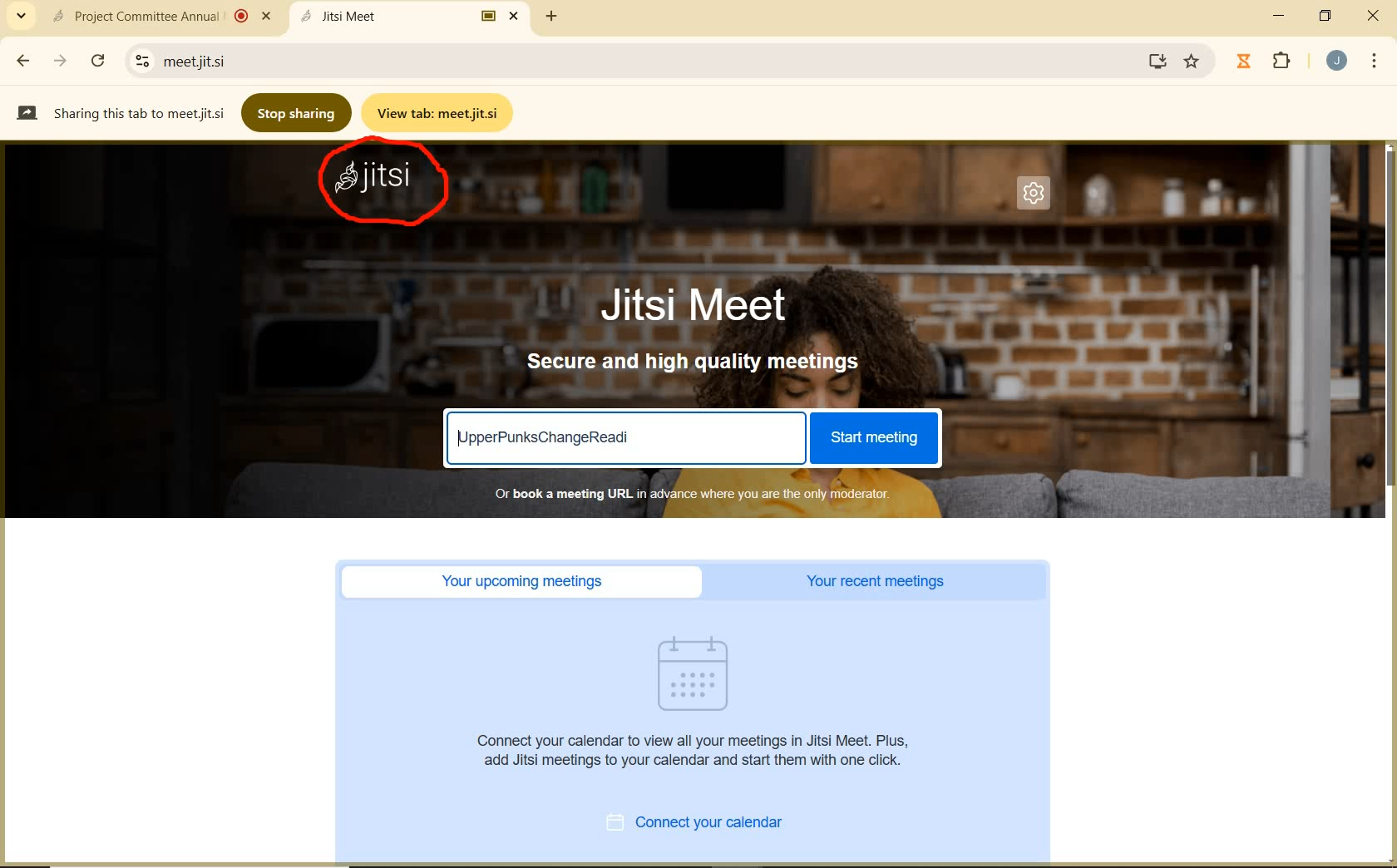  Describe the element at coordinates (1375, 62) in the screenshot. I see `CUSTOMIZE GOOGLE CHROME` at that location.